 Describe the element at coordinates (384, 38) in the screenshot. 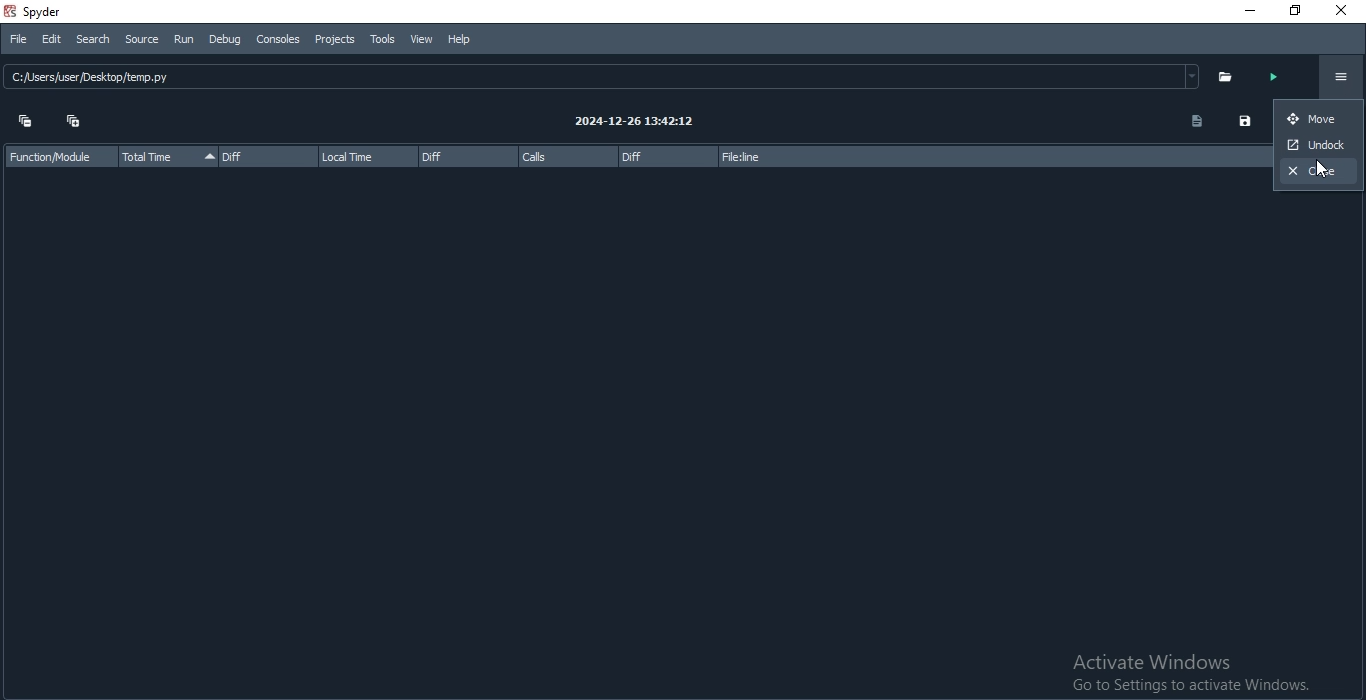

I see `Tools` at that location.